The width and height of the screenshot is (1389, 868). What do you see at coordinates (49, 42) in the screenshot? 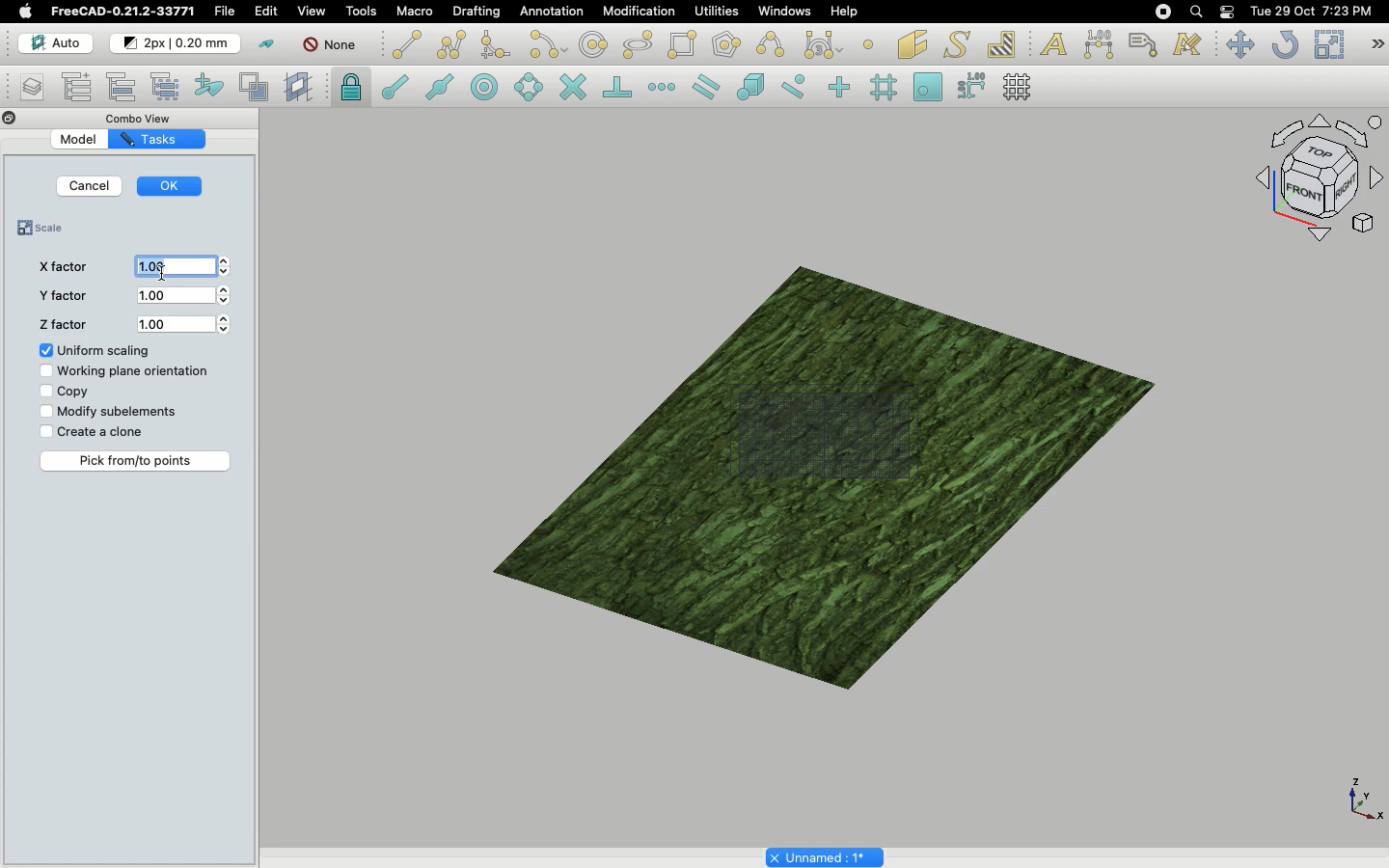
I see `Auto` at bounding box center [49, 42].